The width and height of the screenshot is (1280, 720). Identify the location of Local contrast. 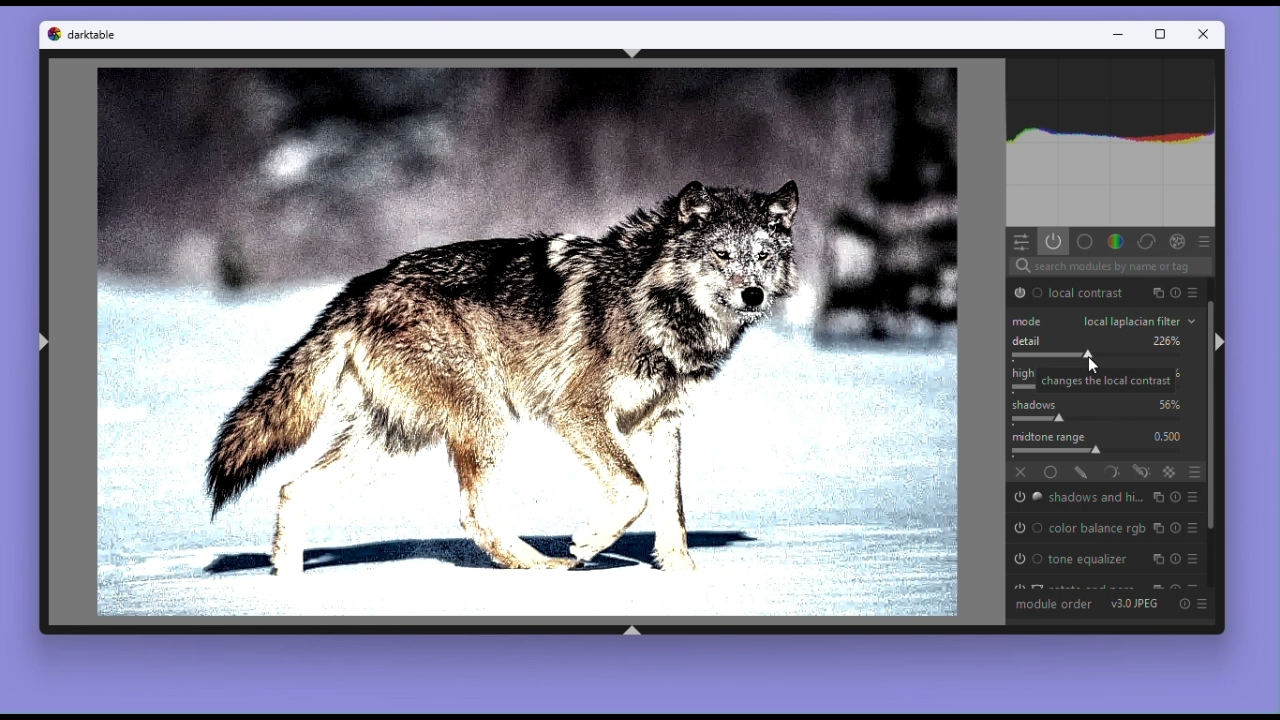
(1089, 292).